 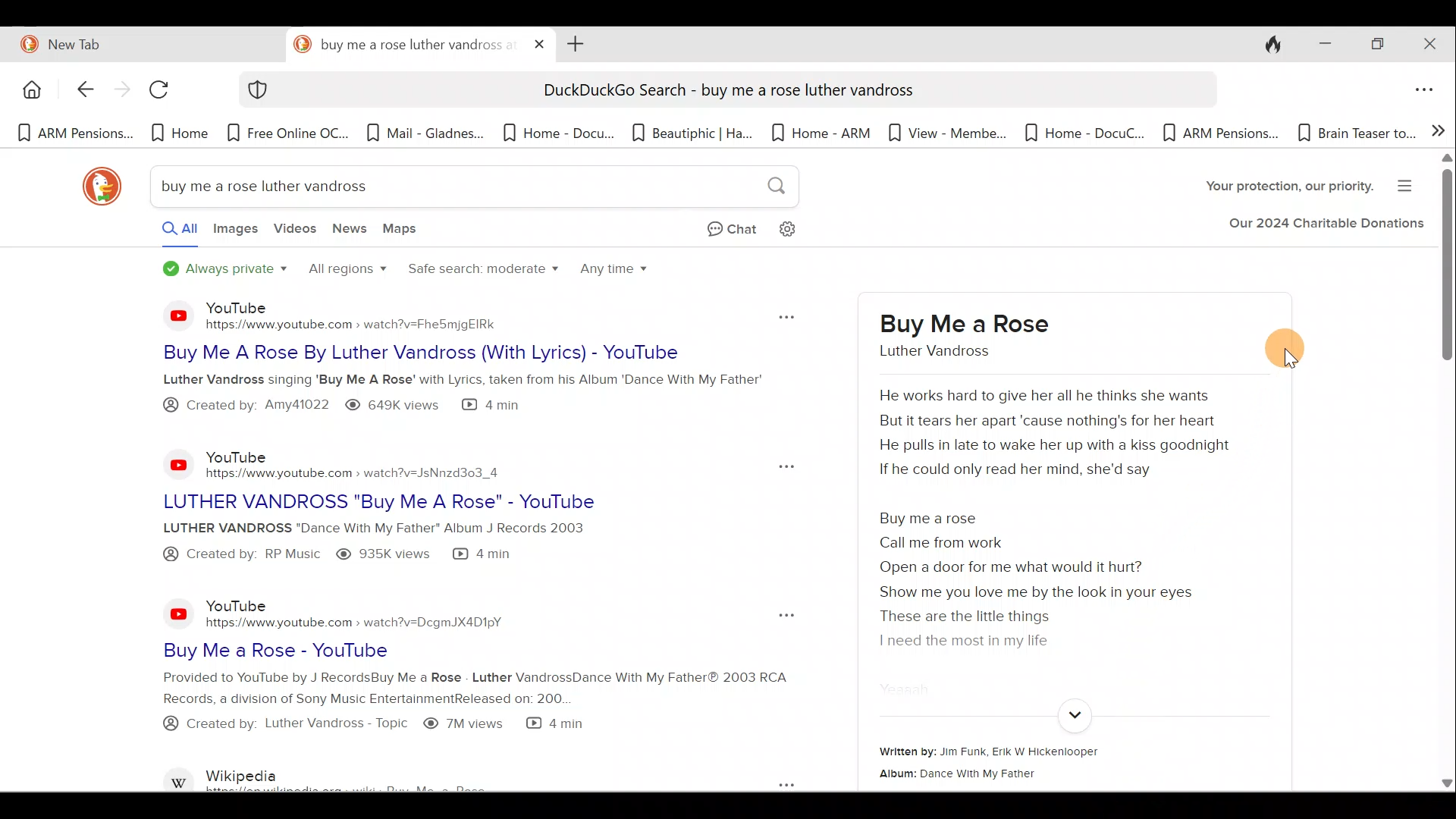 What do you see at coordinates (358, 460) in the screenshot?
I see `YouTube - https://www.youtube.com » watch?v=JsNnzd303_4` at bounding box center [358, 460].